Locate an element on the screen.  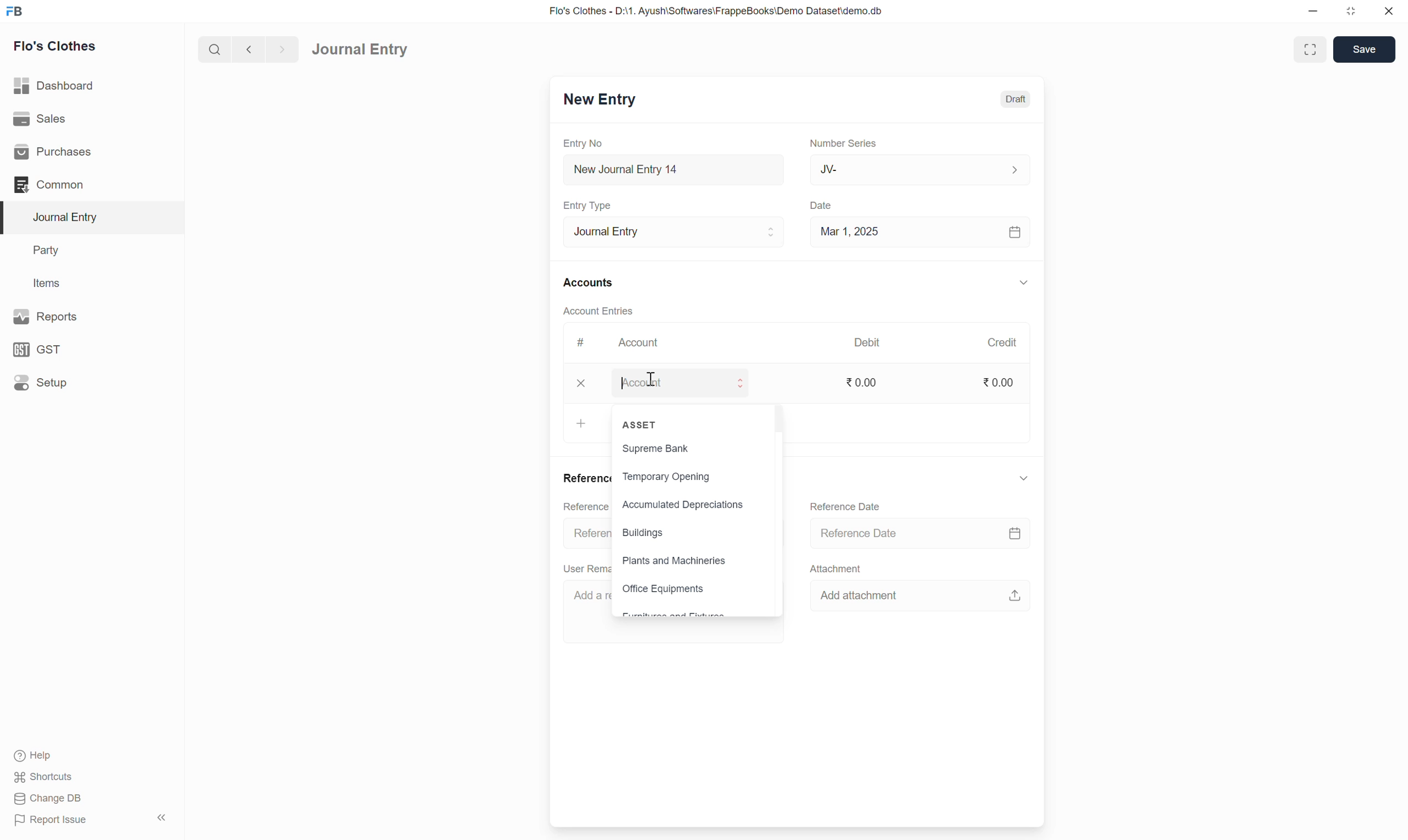
Report Issue is located at coordinates (55, 821).